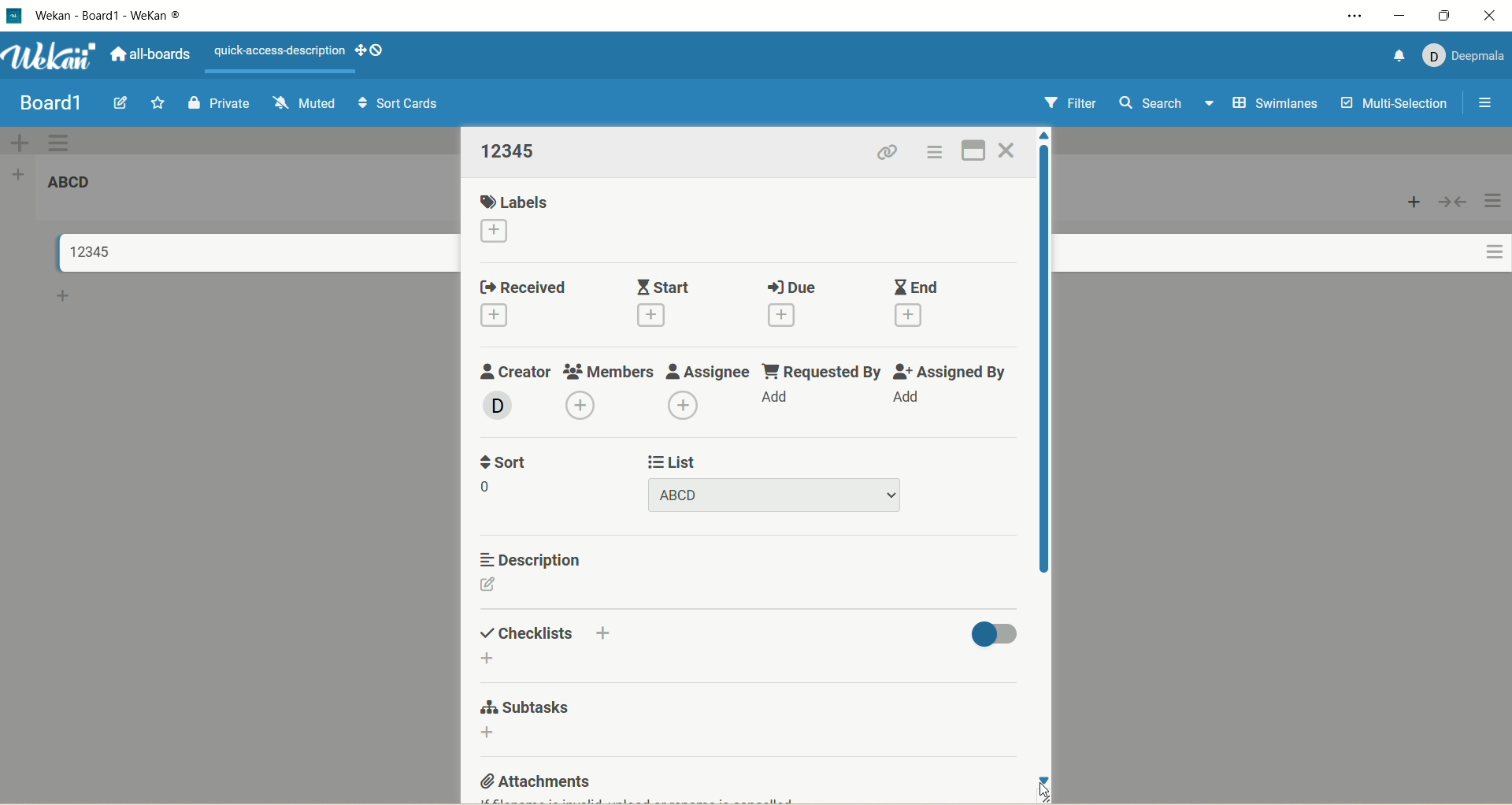 This screenshot has width=1512, height=805. What do you see at coordinates (13, 17) in the screenshot?
I see `logo` at bounding box center [13, 17].